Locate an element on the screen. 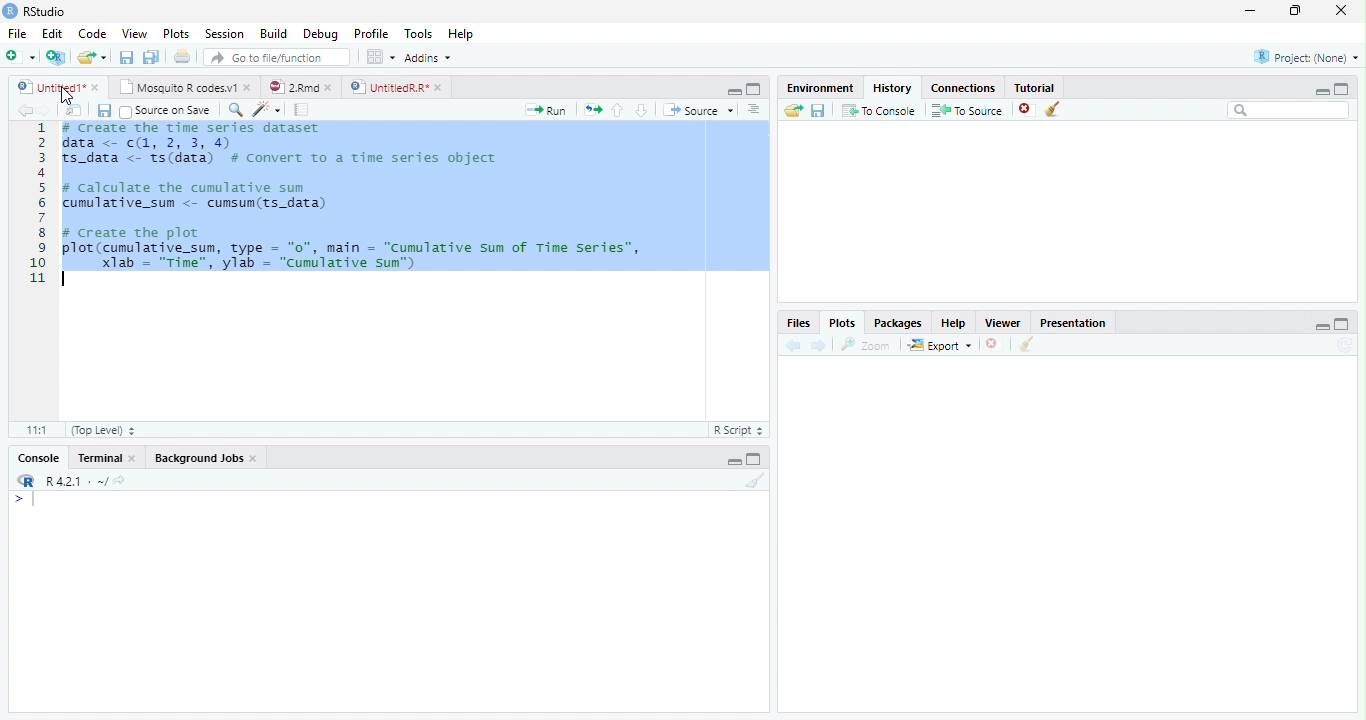 The image size is (1366, 720). Plots is located at coordinates (843, 322).